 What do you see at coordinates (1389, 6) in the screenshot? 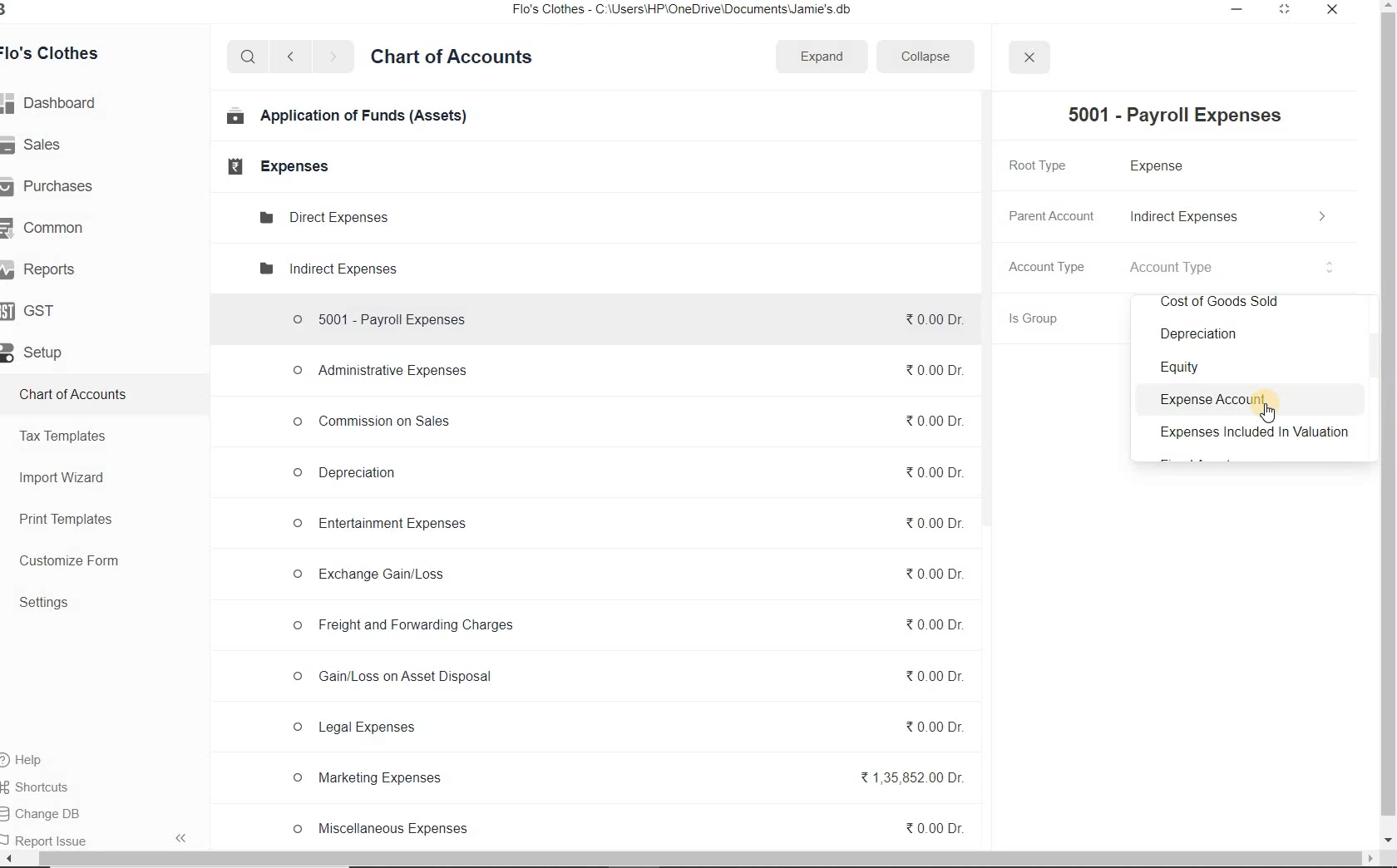
I see `move up` at bounding box center [1389, 6].